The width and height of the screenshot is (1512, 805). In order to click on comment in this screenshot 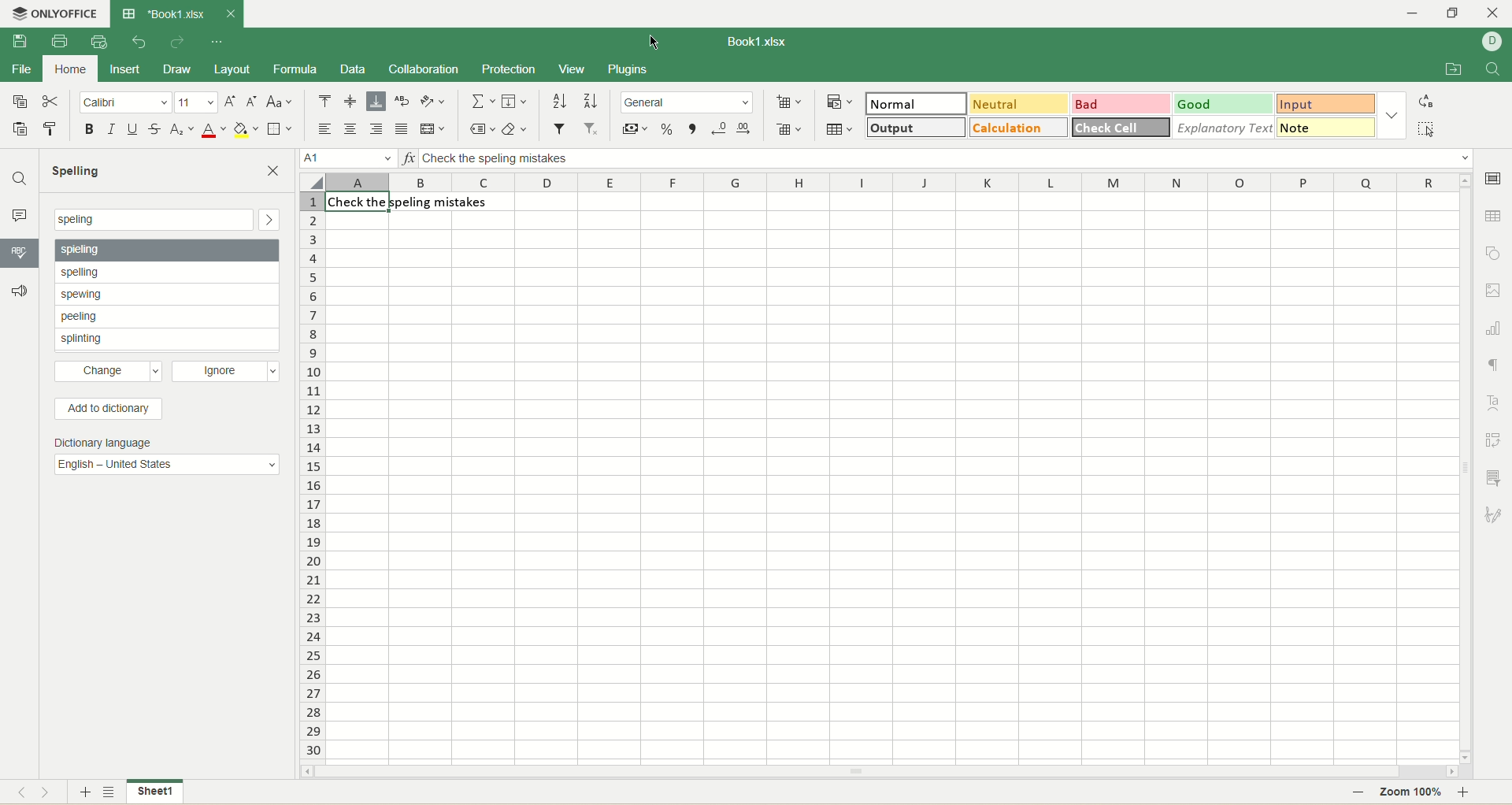, I will do `click(20, 216)`.